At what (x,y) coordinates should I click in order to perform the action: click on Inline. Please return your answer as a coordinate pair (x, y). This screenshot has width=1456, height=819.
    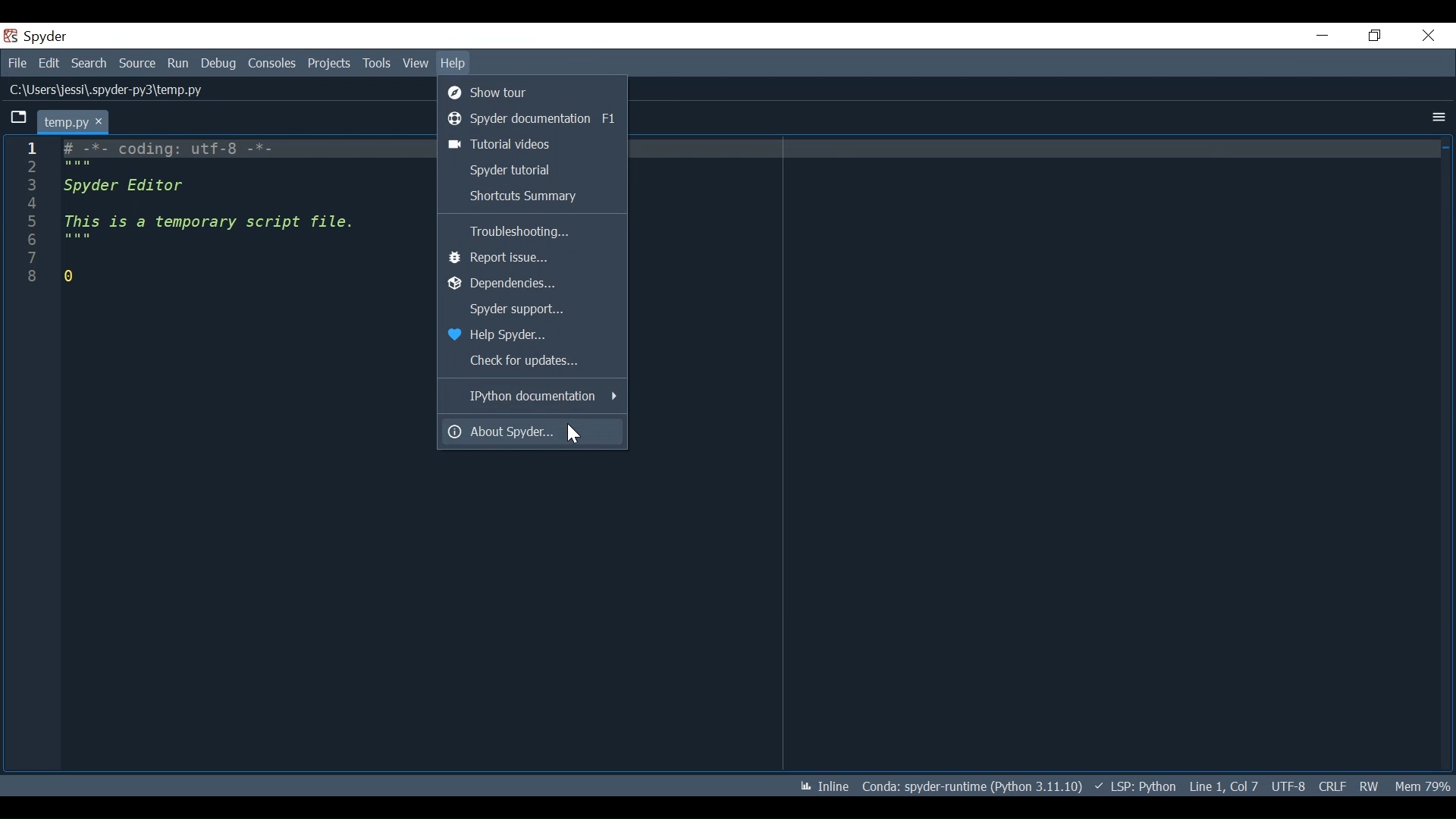
    Looking at the image, I should click on (818, 787).